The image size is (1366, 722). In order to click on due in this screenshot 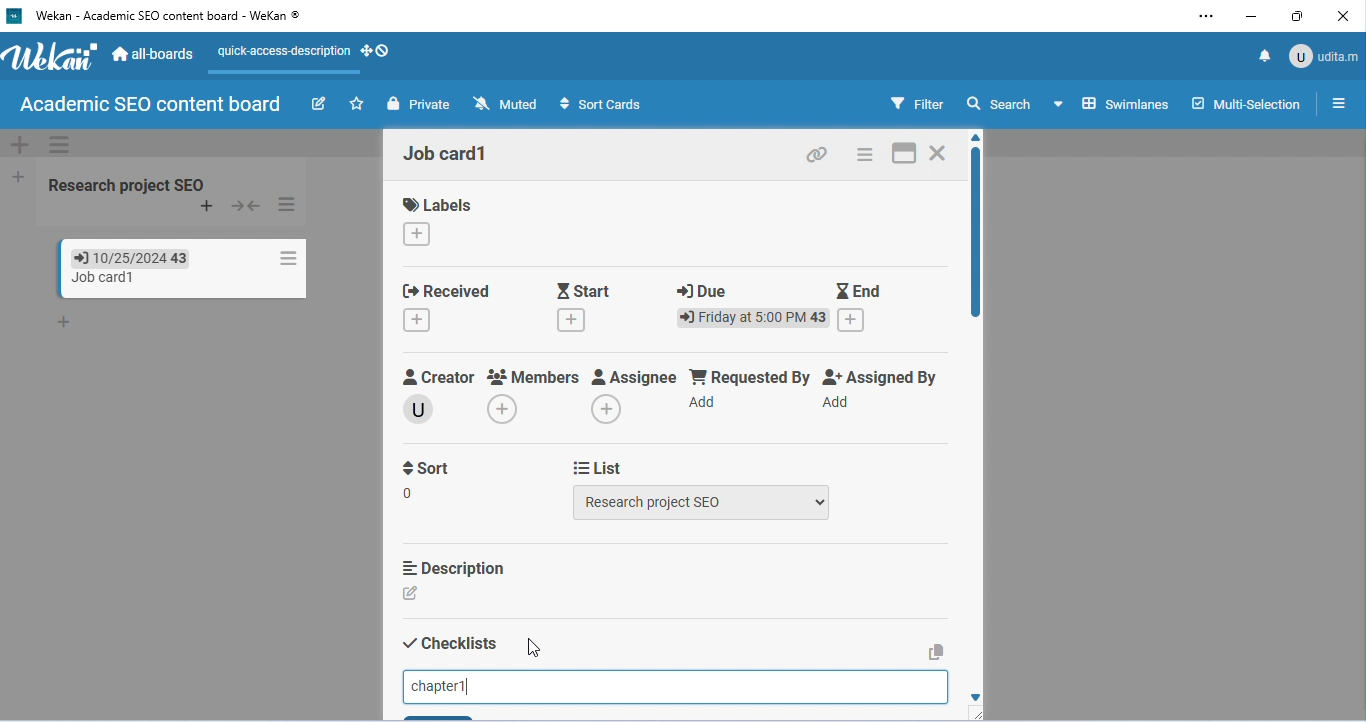, I will do `click(704, 291)`.